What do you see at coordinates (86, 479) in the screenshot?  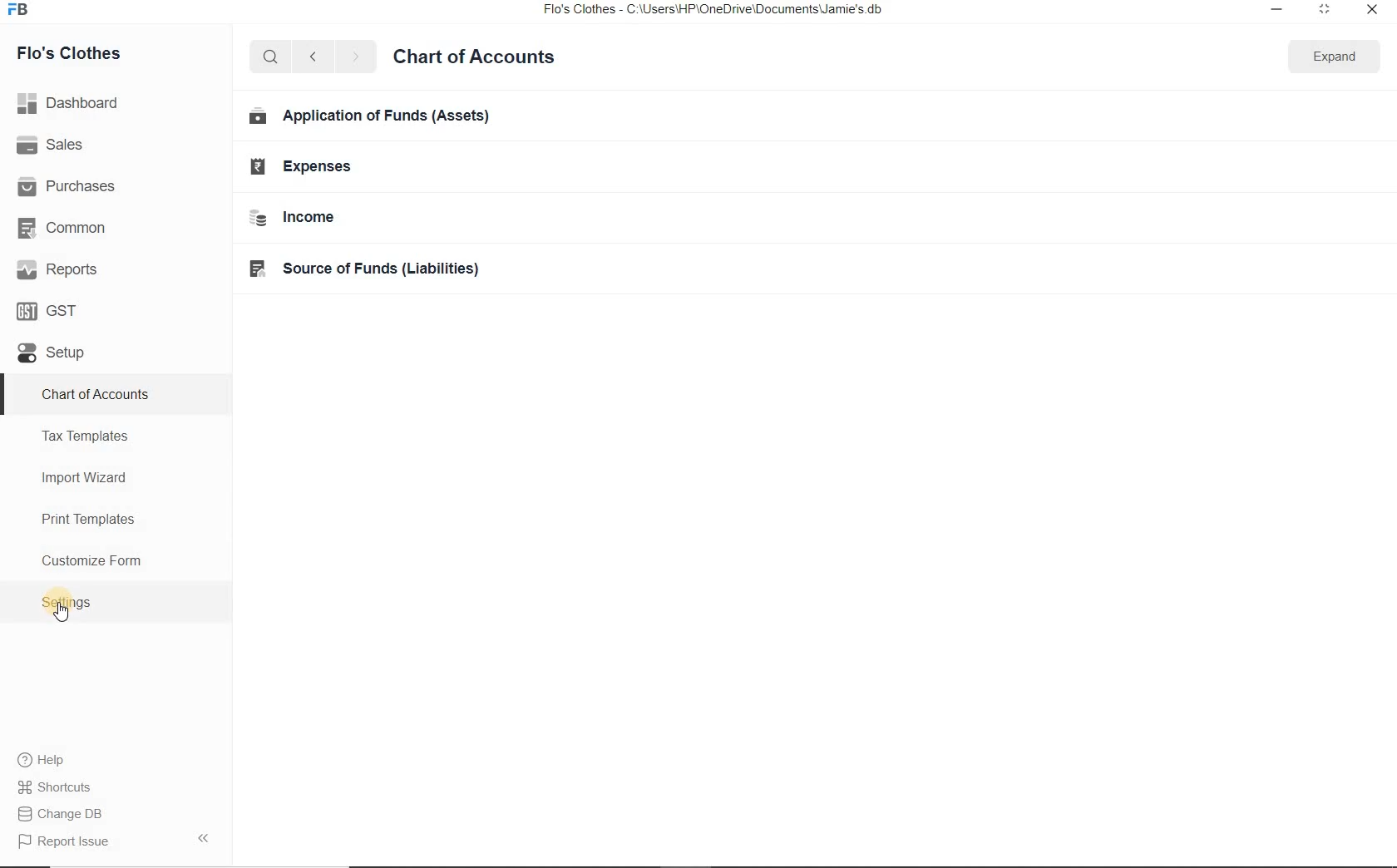 I see `Import Wizard` at bounding box center [86, 479].